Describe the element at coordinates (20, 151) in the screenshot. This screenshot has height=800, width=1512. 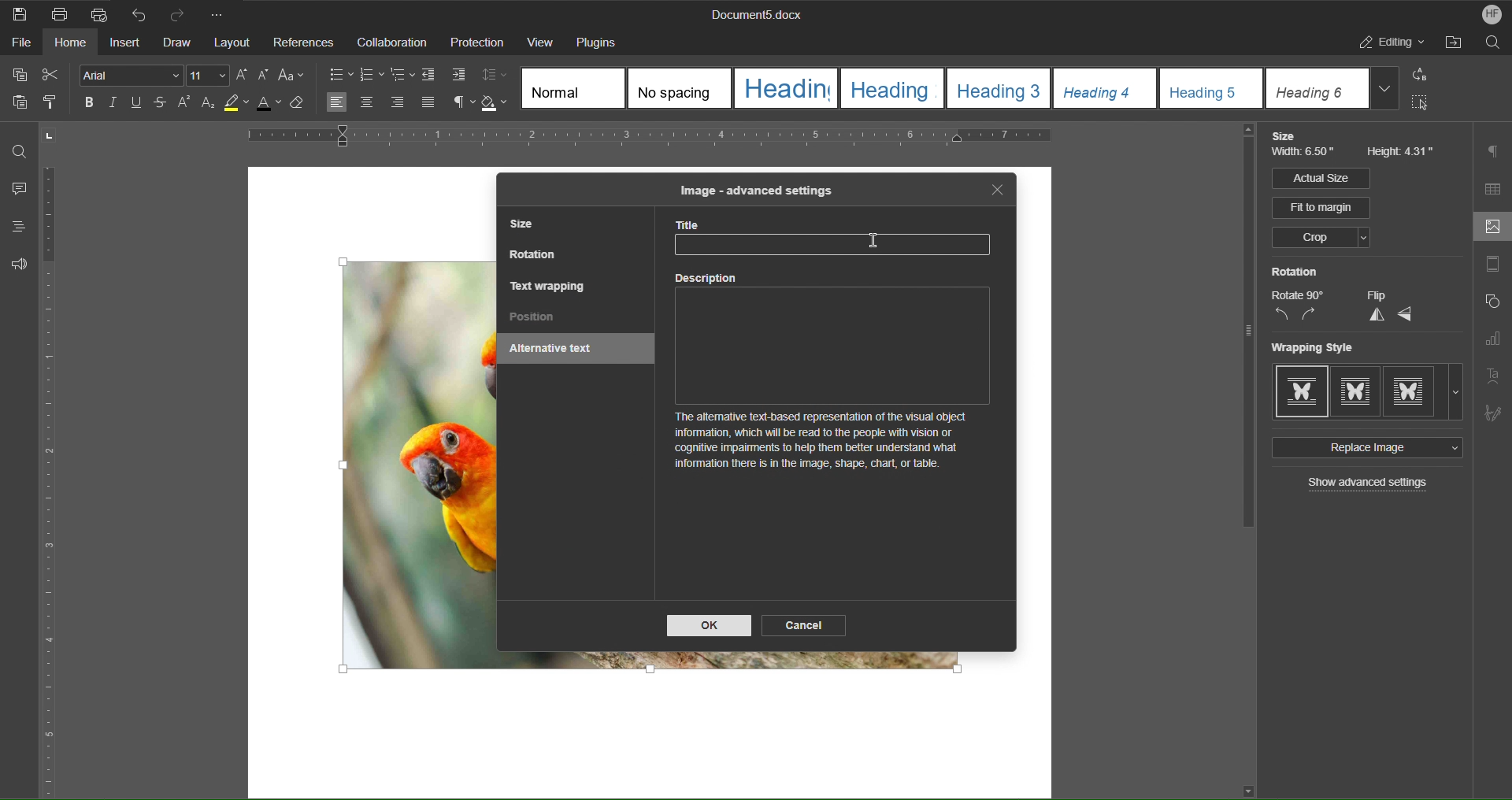
I see `Find` at that location.